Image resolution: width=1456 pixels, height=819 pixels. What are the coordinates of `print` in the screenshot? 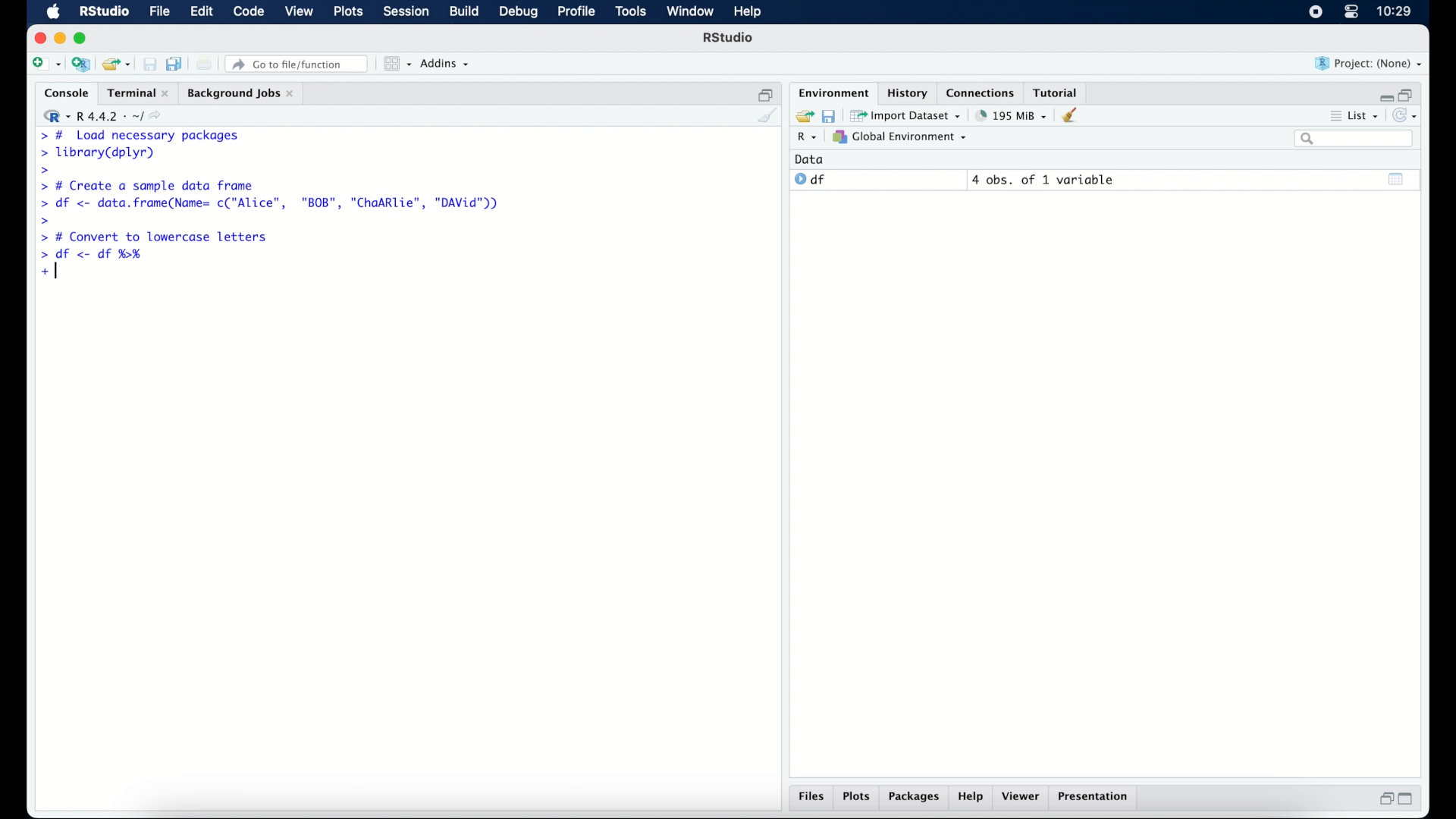 It's located at (205, 64).